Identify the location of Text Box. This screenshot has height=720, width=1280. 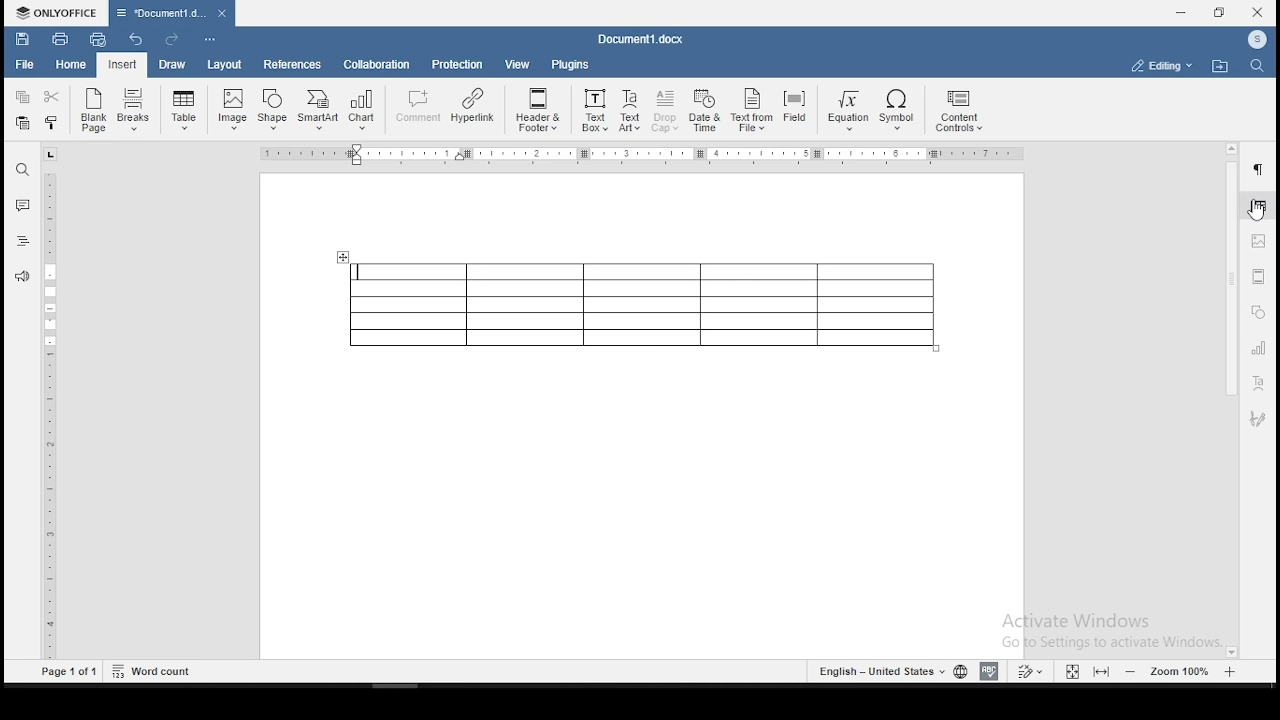
(593, 111).